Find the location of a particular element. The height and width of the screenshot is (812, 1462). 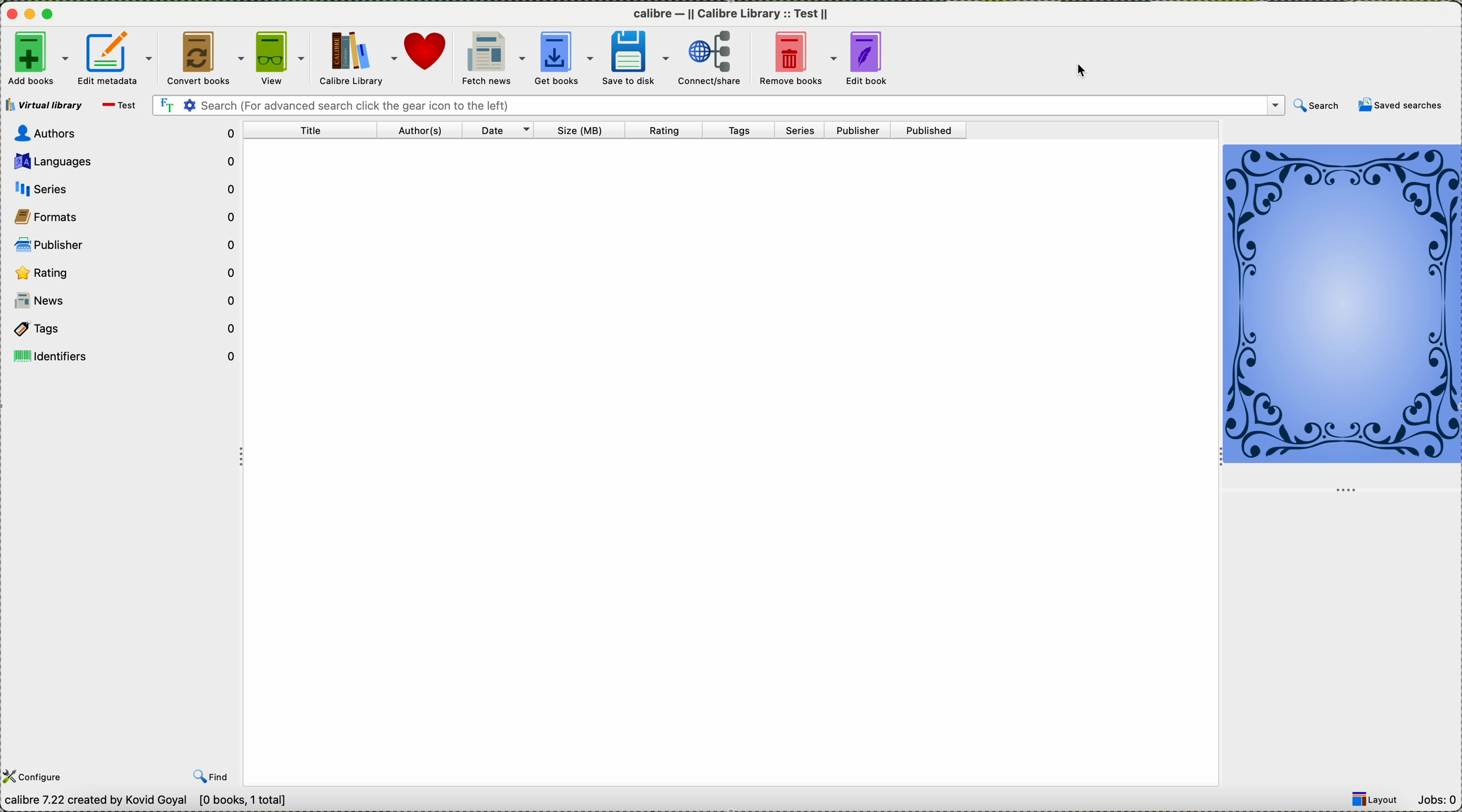

configure is located at coordinates (36, 776).